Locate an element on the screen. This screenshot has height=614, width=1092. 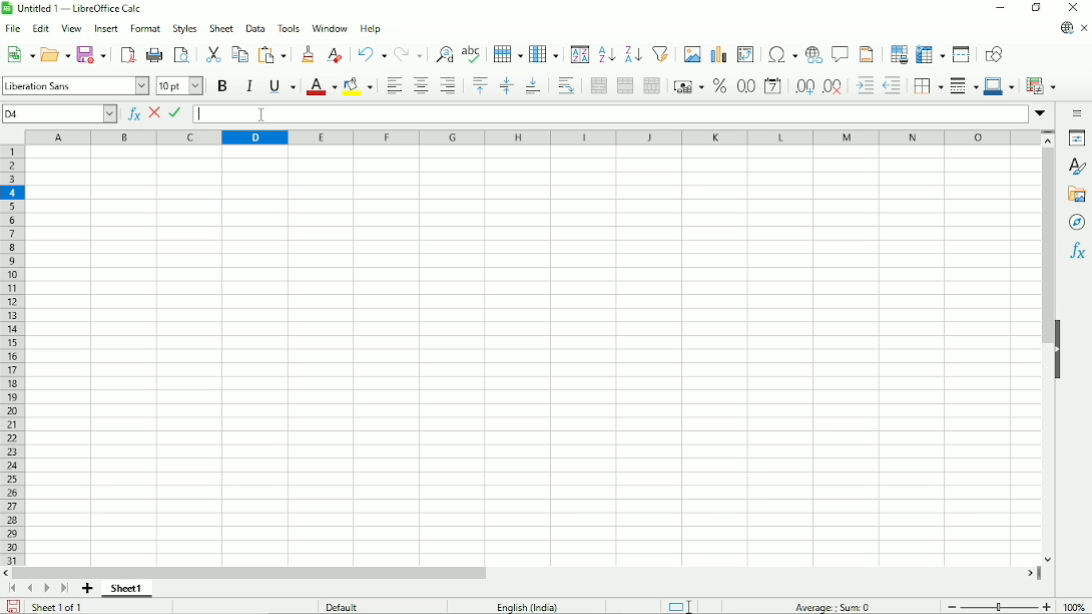
Update available  is located at coordinates (1066, 28).